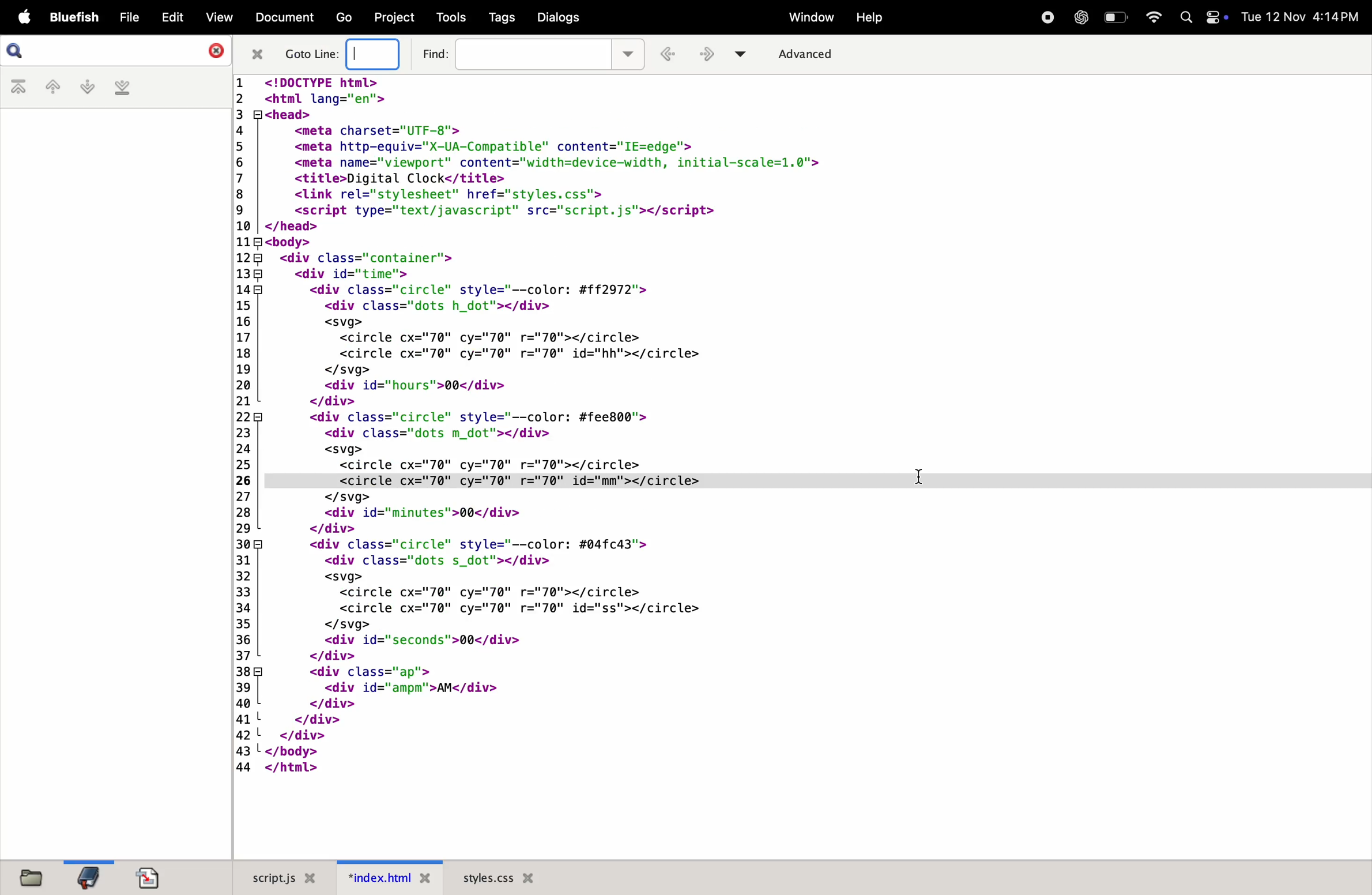  I want to click on new document, so click(154, 877).